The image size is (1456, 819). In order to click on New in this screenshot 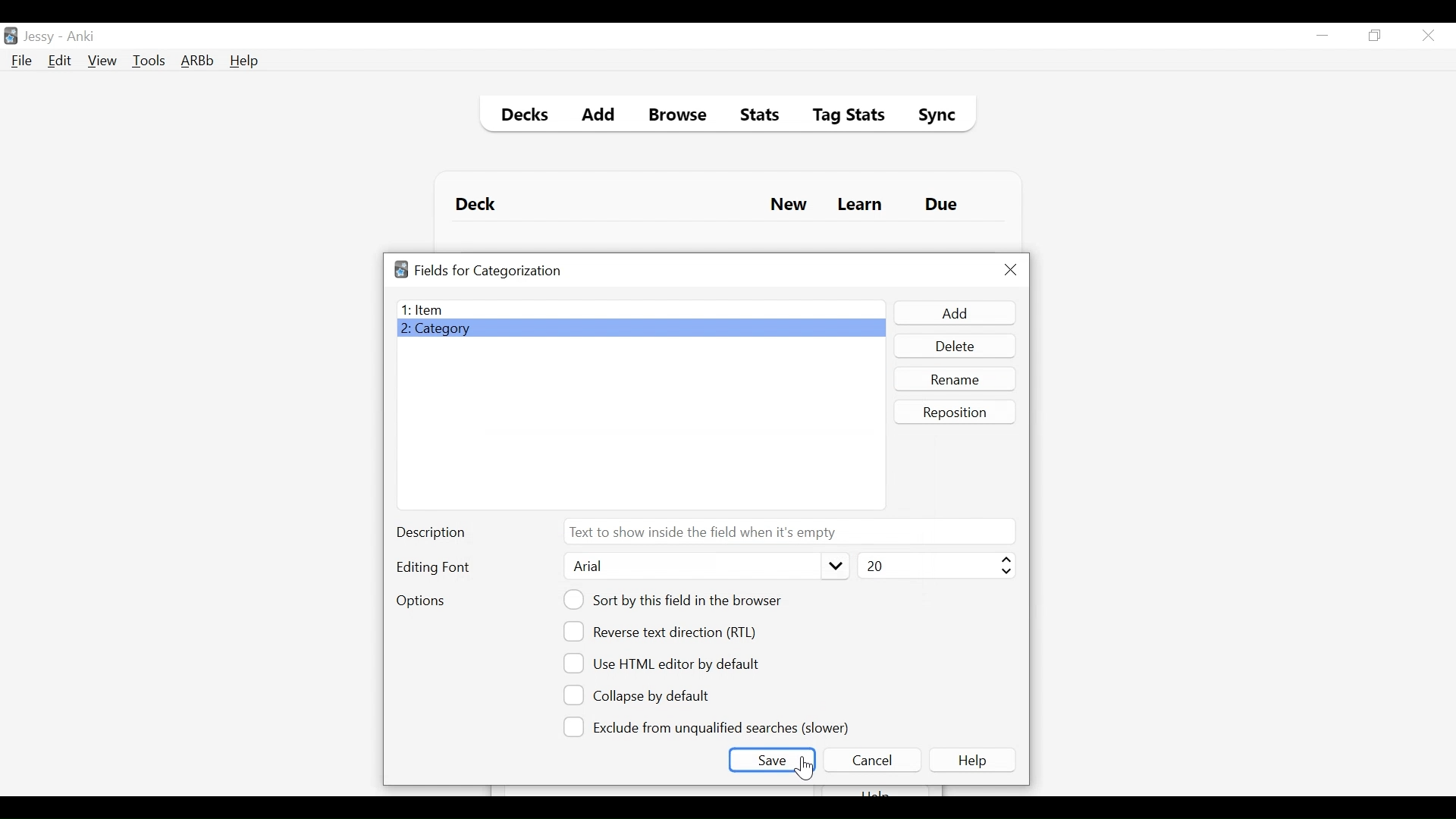, I will do `click(789, 206)`.